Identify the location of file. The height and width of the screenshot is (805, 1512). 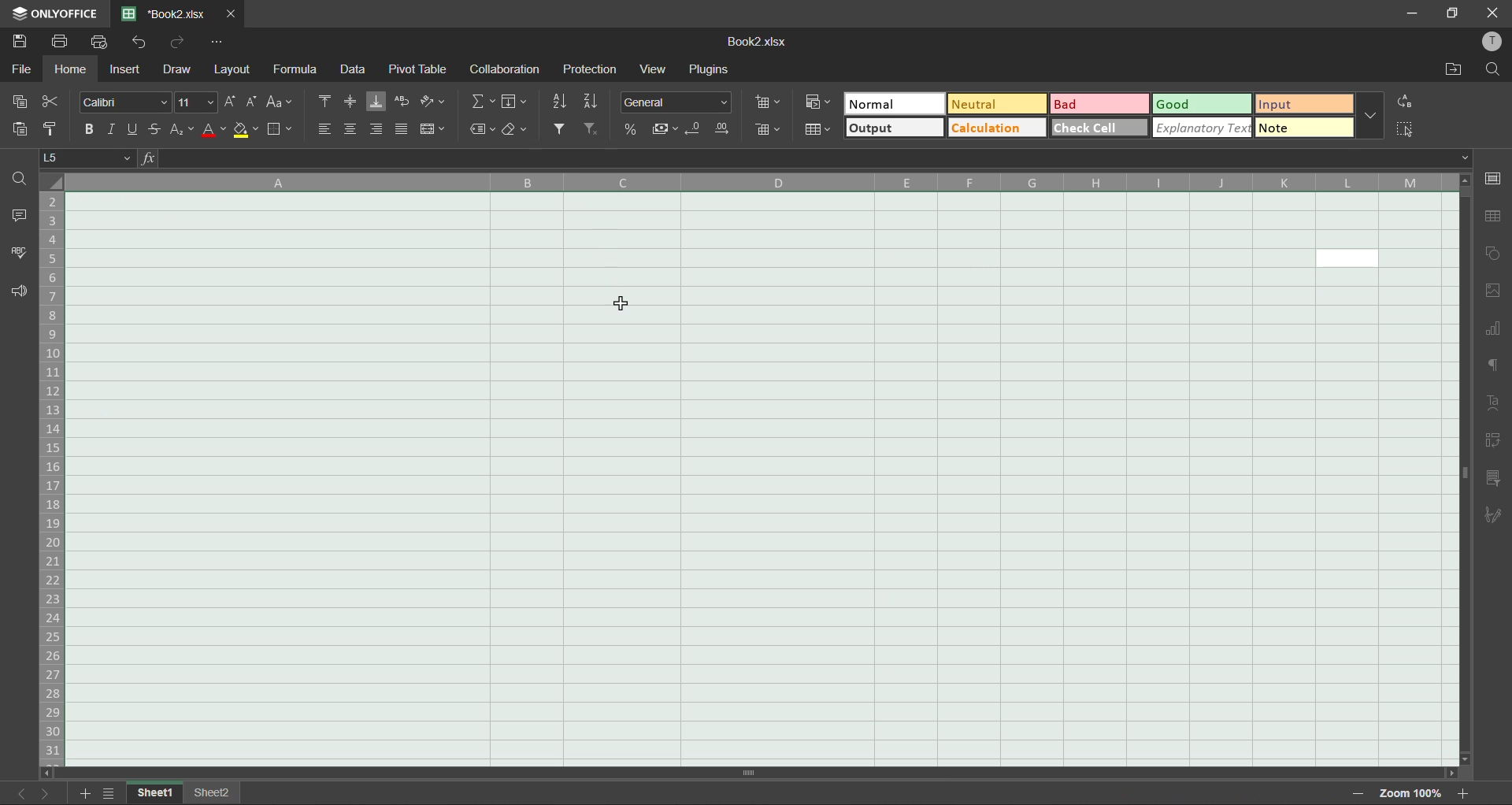
(23, 70).